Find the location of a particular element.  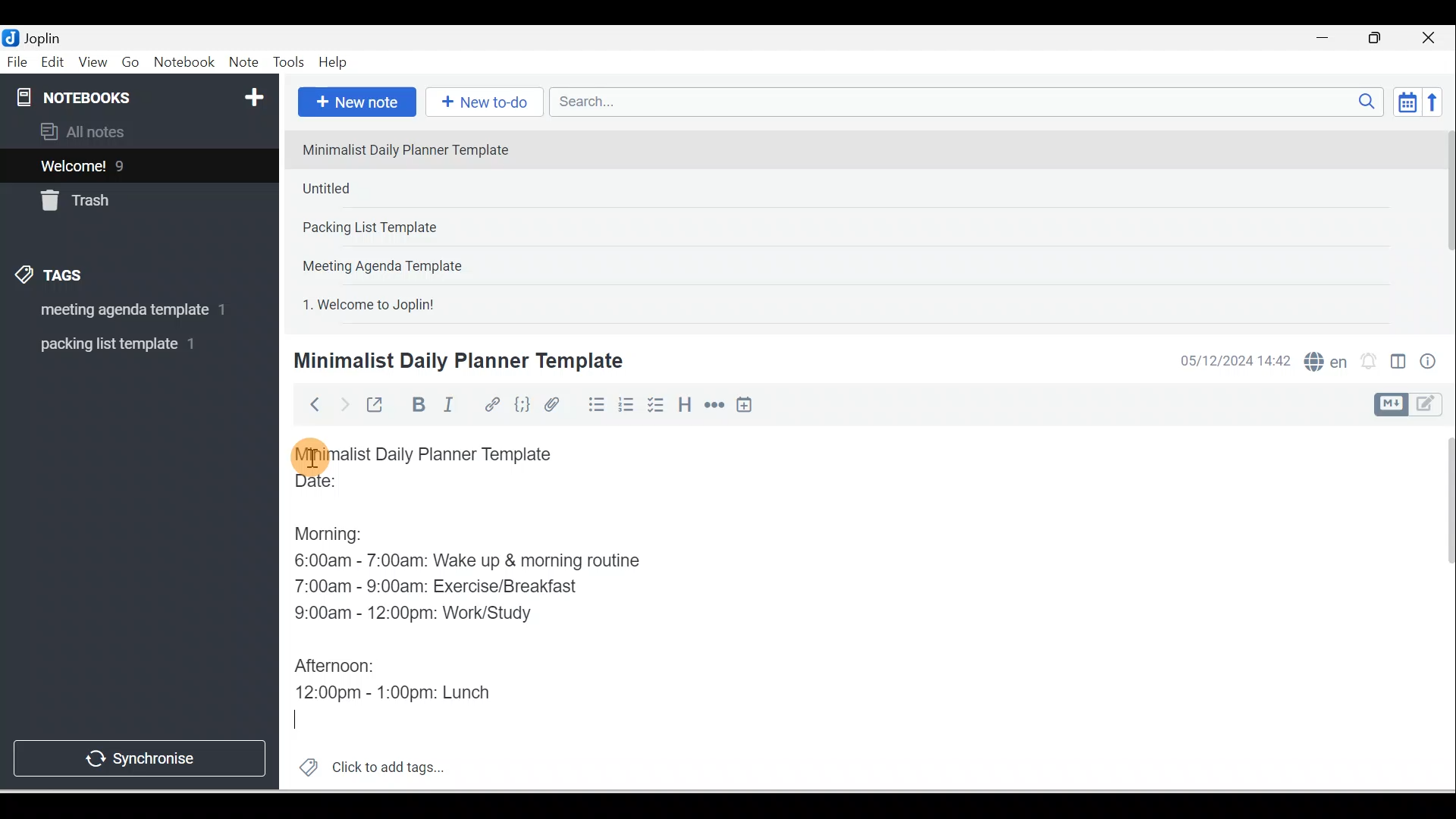

Notes is located at coordinates (128, 162).